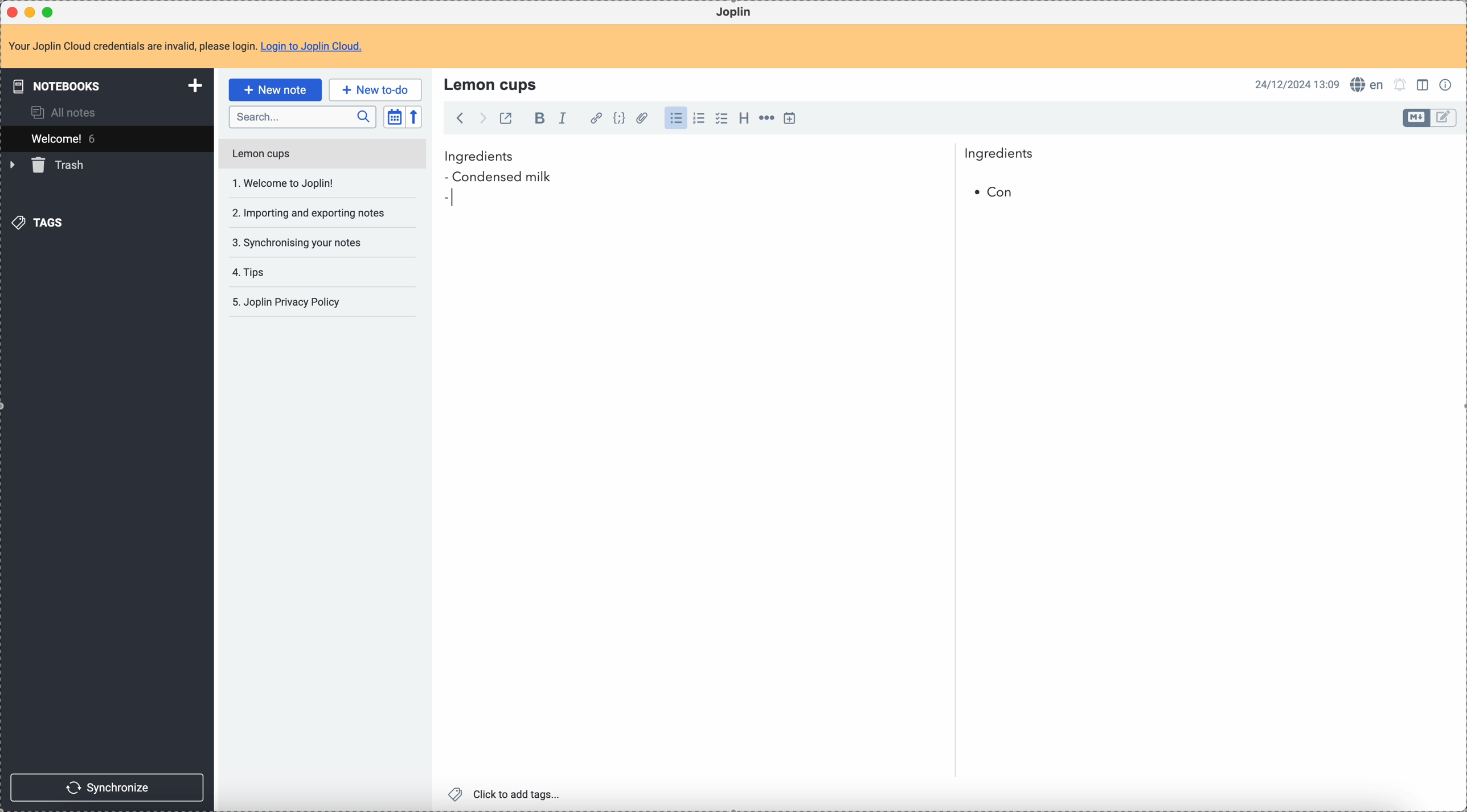 Image resolution: width=1467 pixels, height=812 pixels. I want to click on close, so click(14, 13).